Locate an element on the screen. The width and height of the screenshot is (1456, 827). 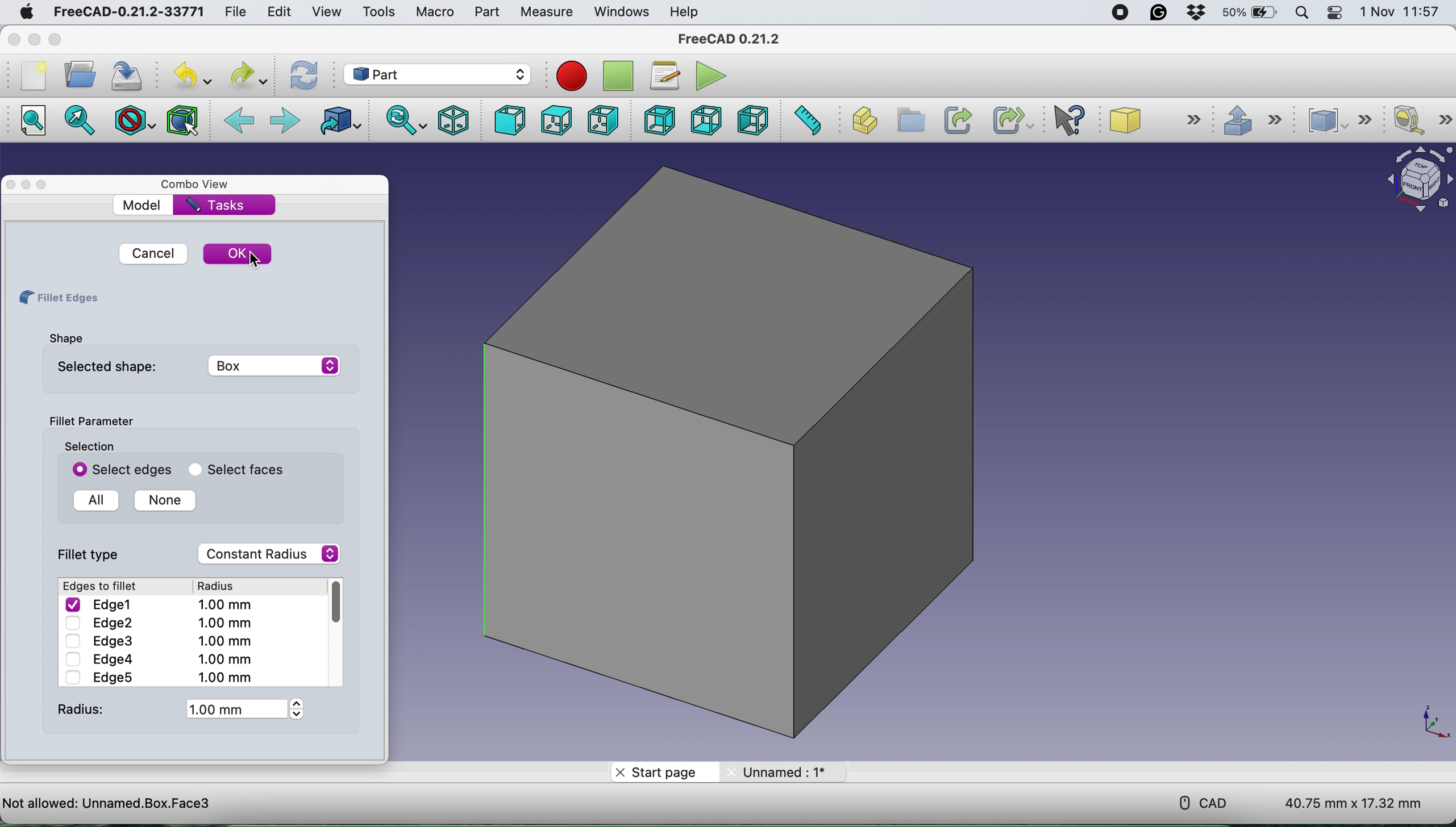
backward is located at coordinates (239, 122).